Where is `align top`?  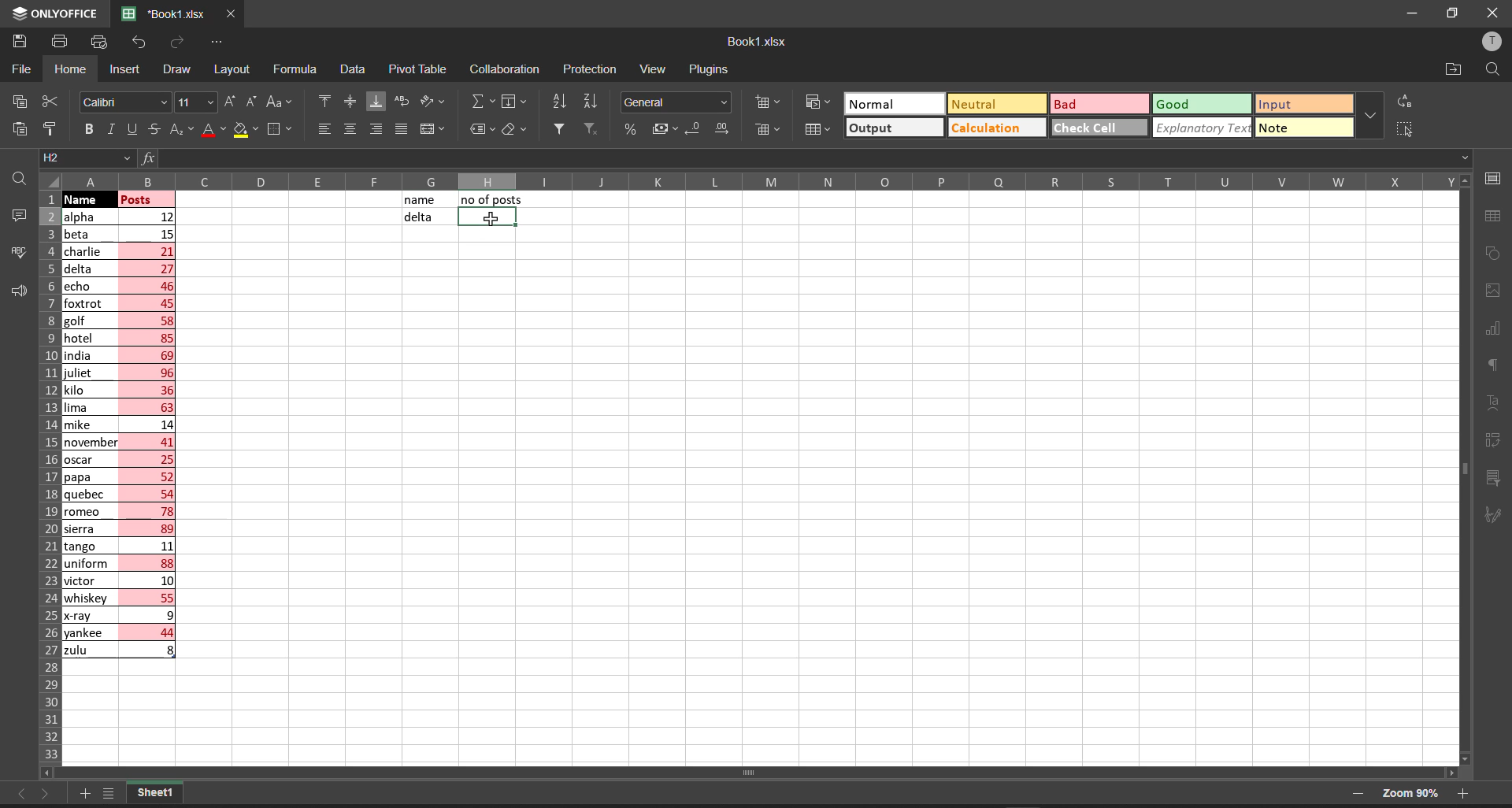
align top is located at coordinates (321, 102).